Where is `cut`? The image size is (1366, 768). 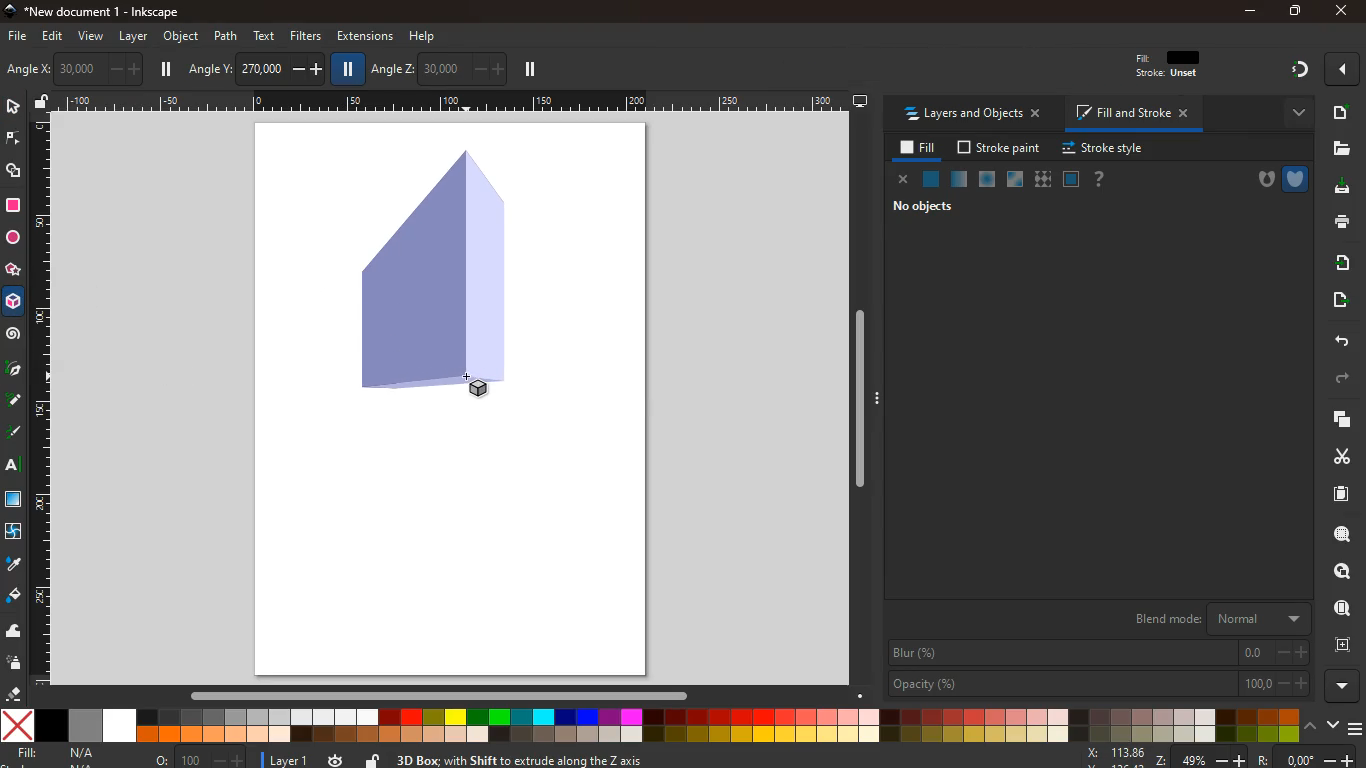 cut is located at coordinates (1334, 456).